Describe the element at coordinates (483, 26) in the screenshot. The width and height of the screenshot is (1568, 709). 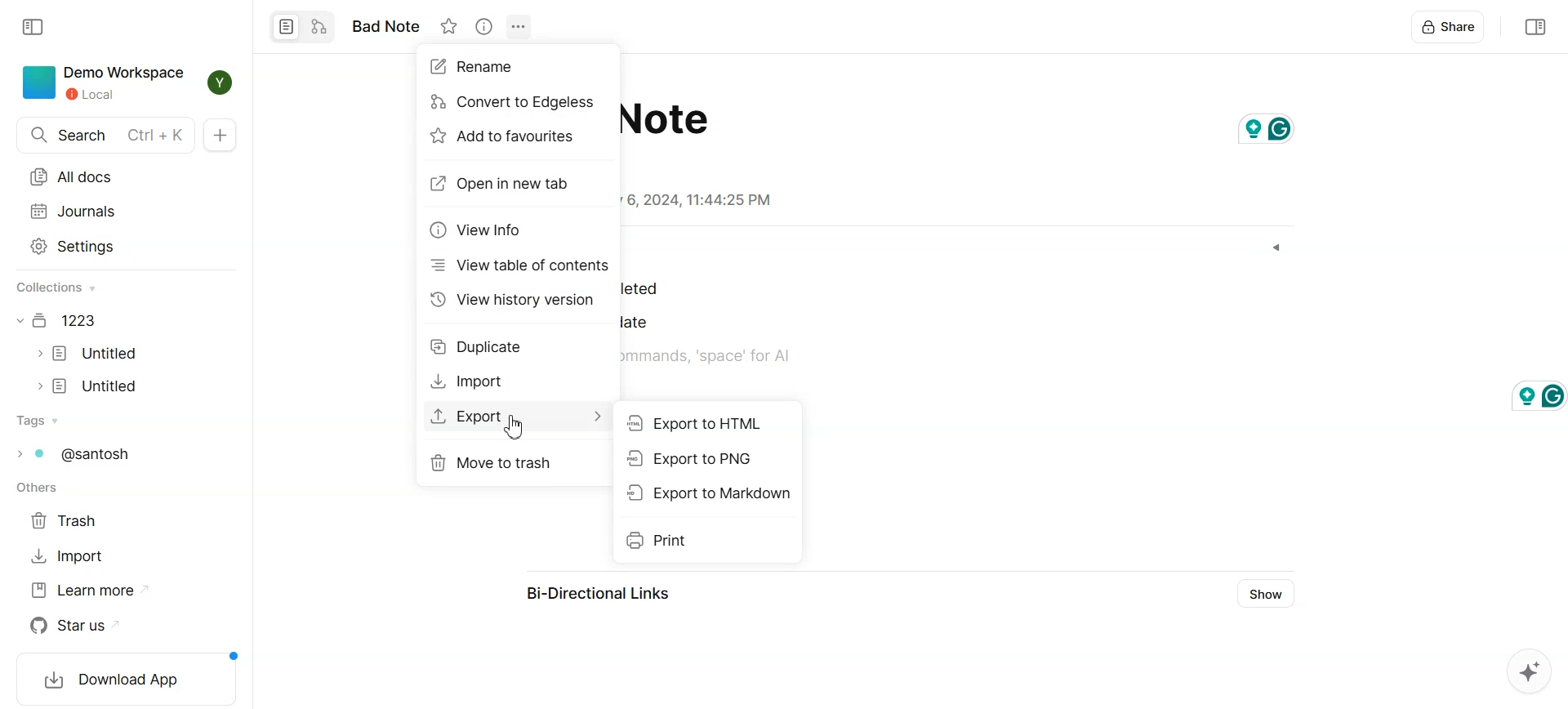
I see `View Info` at that location.